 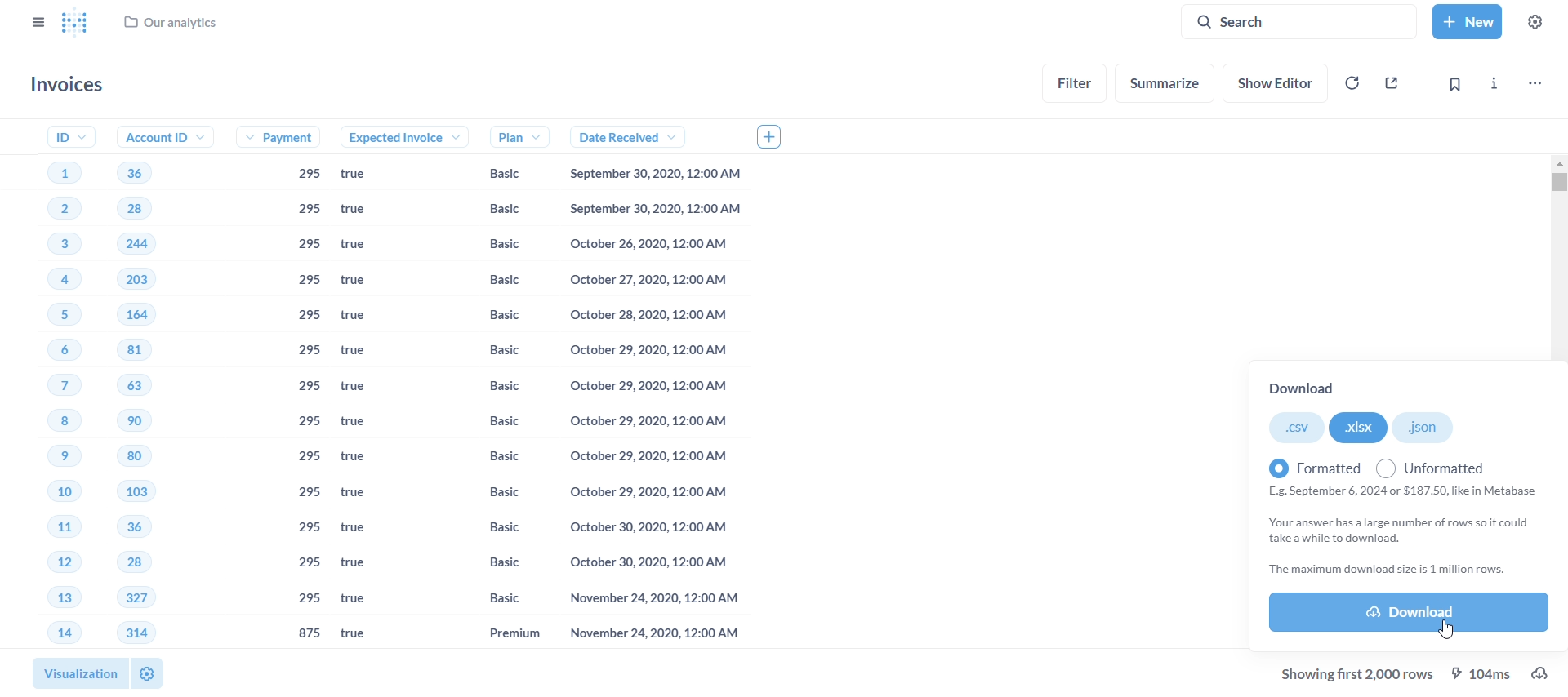 What do you see at coordinates (648, 388) in the screenshot?
I see `October 29,2020, 12:00 AM` at bounding box center [648, 388].